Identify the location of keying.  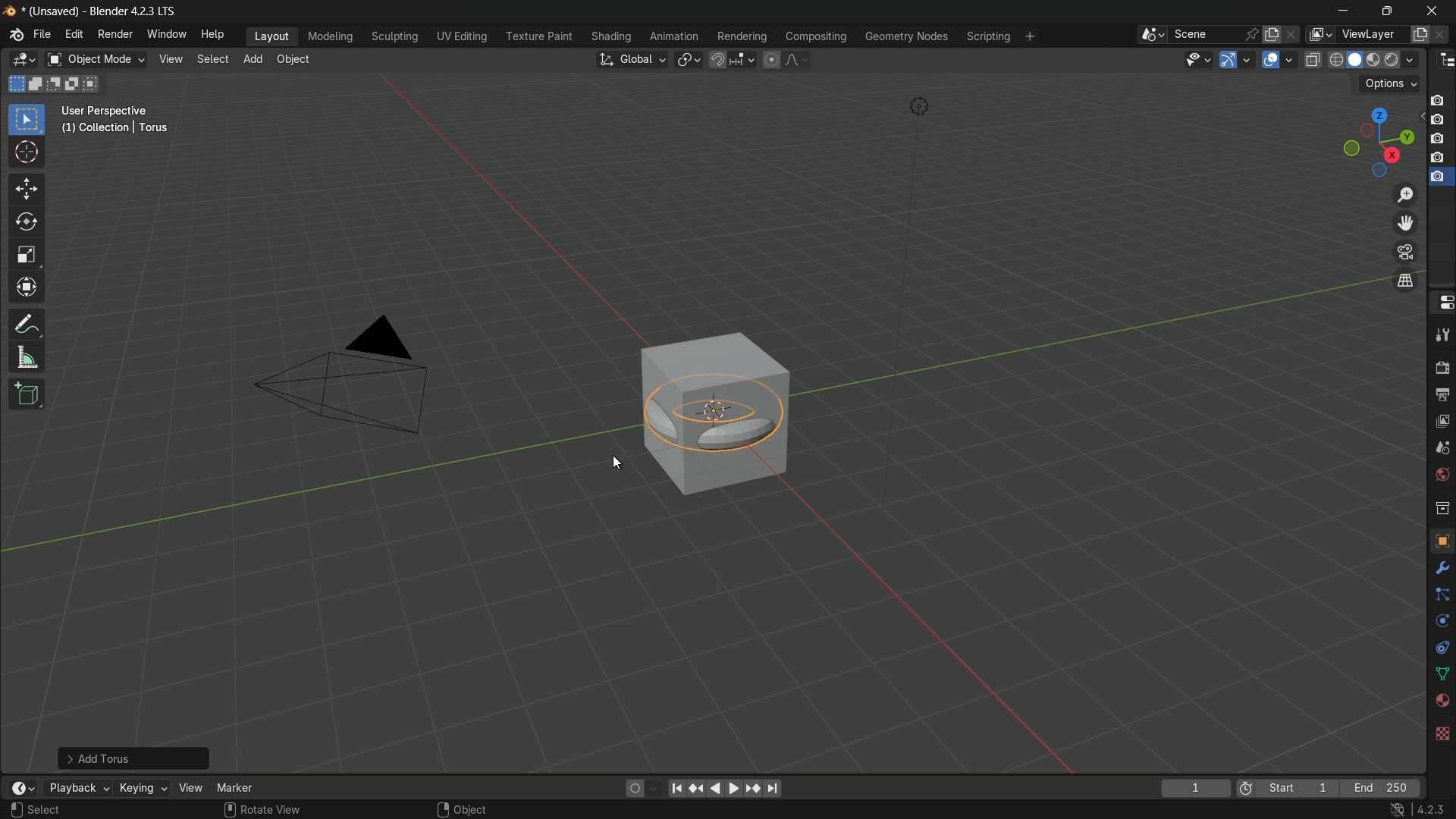
(141, 787).